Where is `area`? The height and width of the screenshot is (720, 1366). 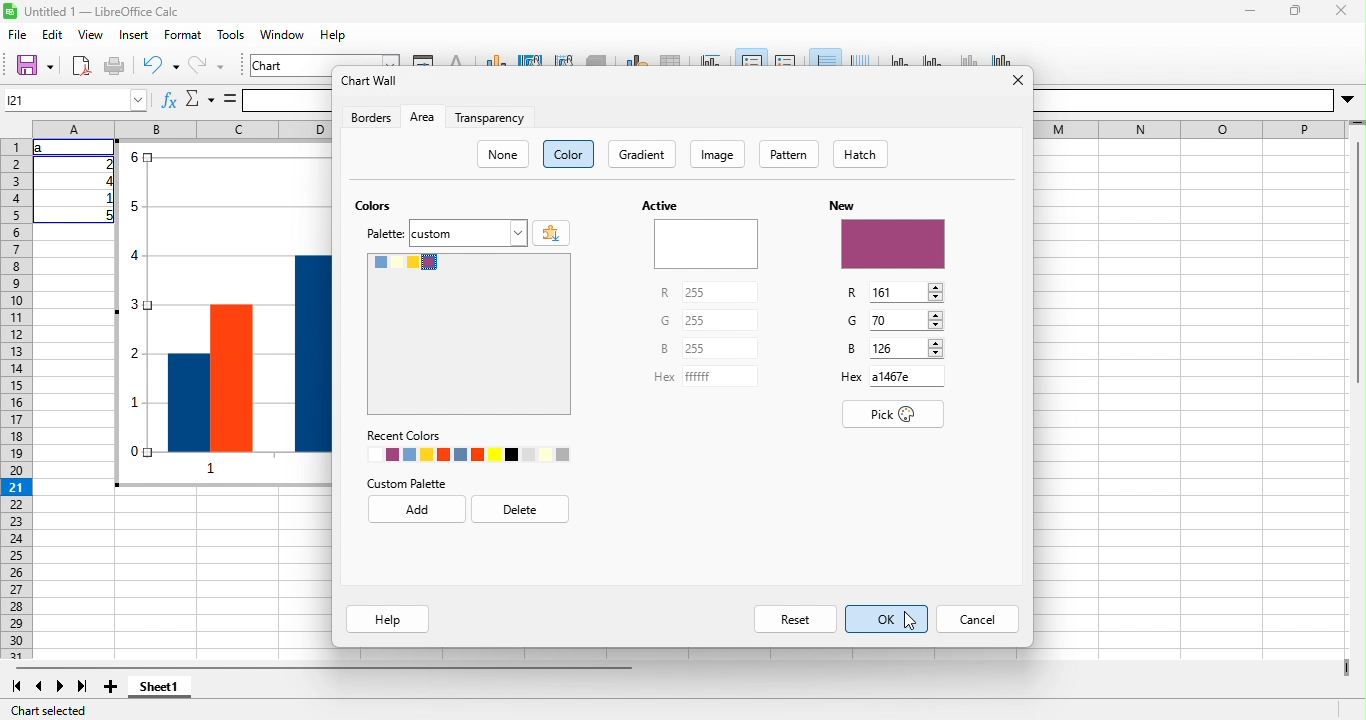 area is located at coordinates (423, 117).